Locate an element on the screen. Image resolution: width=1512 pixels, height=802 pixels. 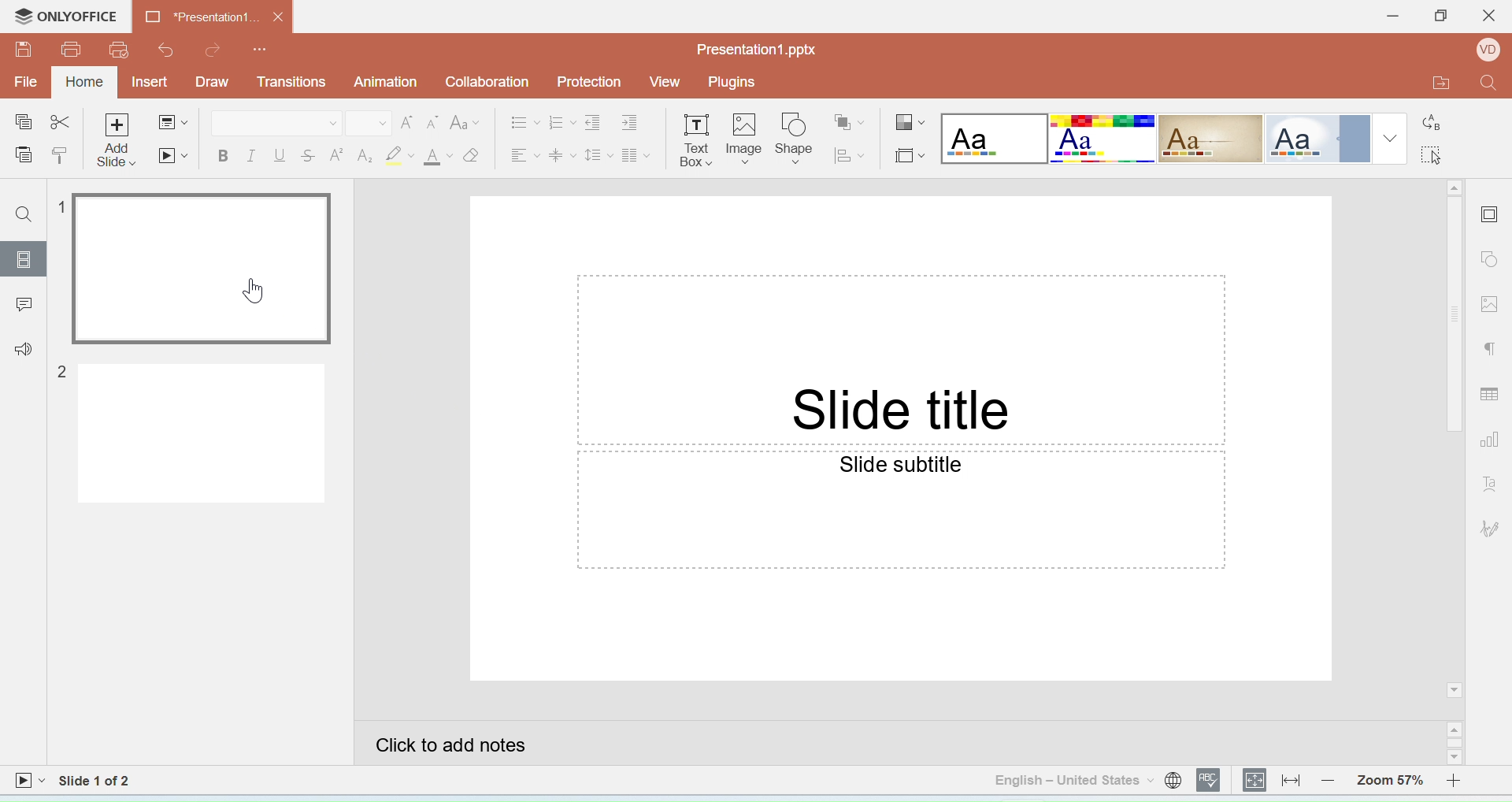
Font is located at coordinates (276, 123).